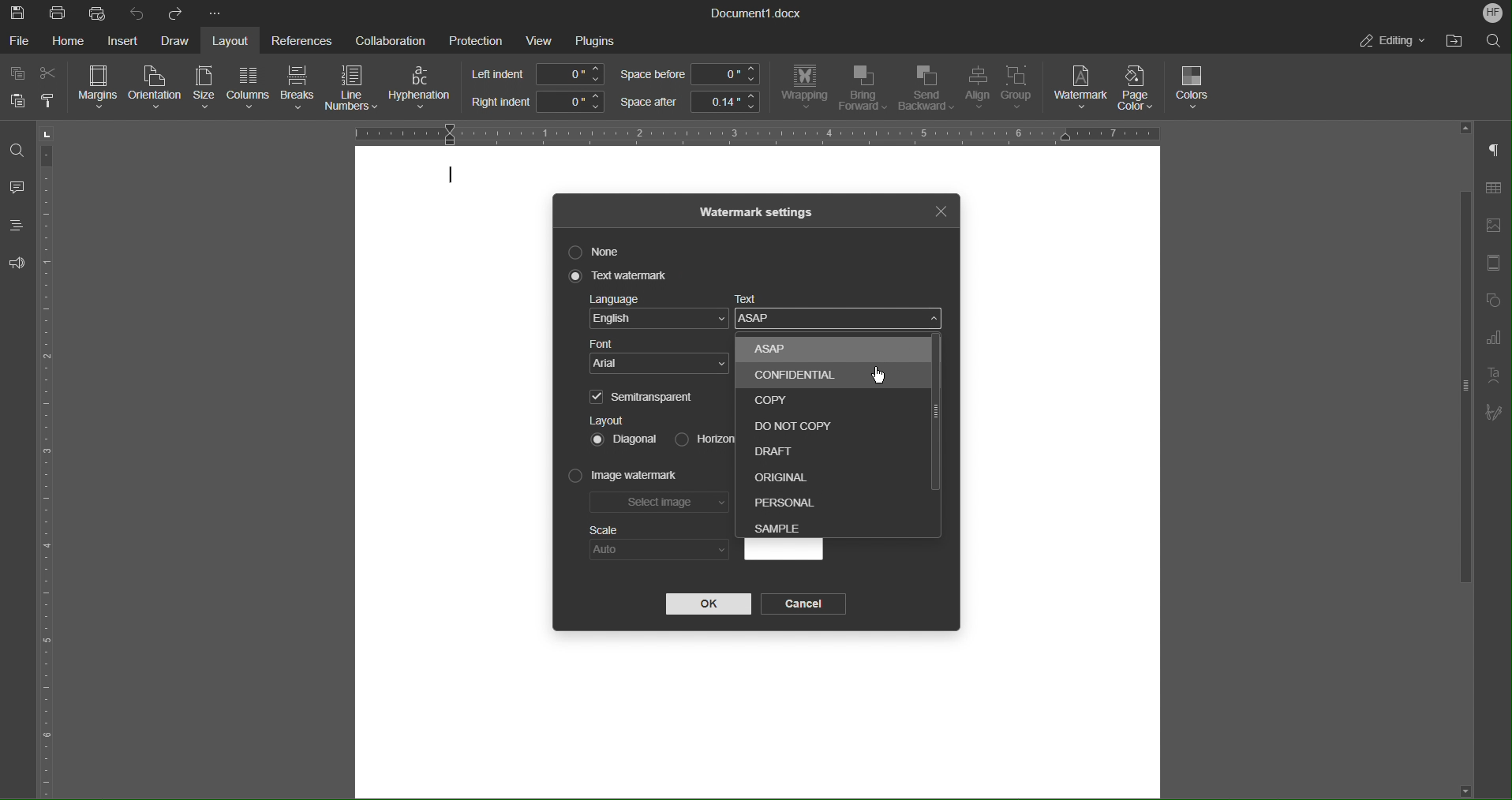  Describe the element at coordinates (246, 88) in the screenshot. I see `Columns` at that location.